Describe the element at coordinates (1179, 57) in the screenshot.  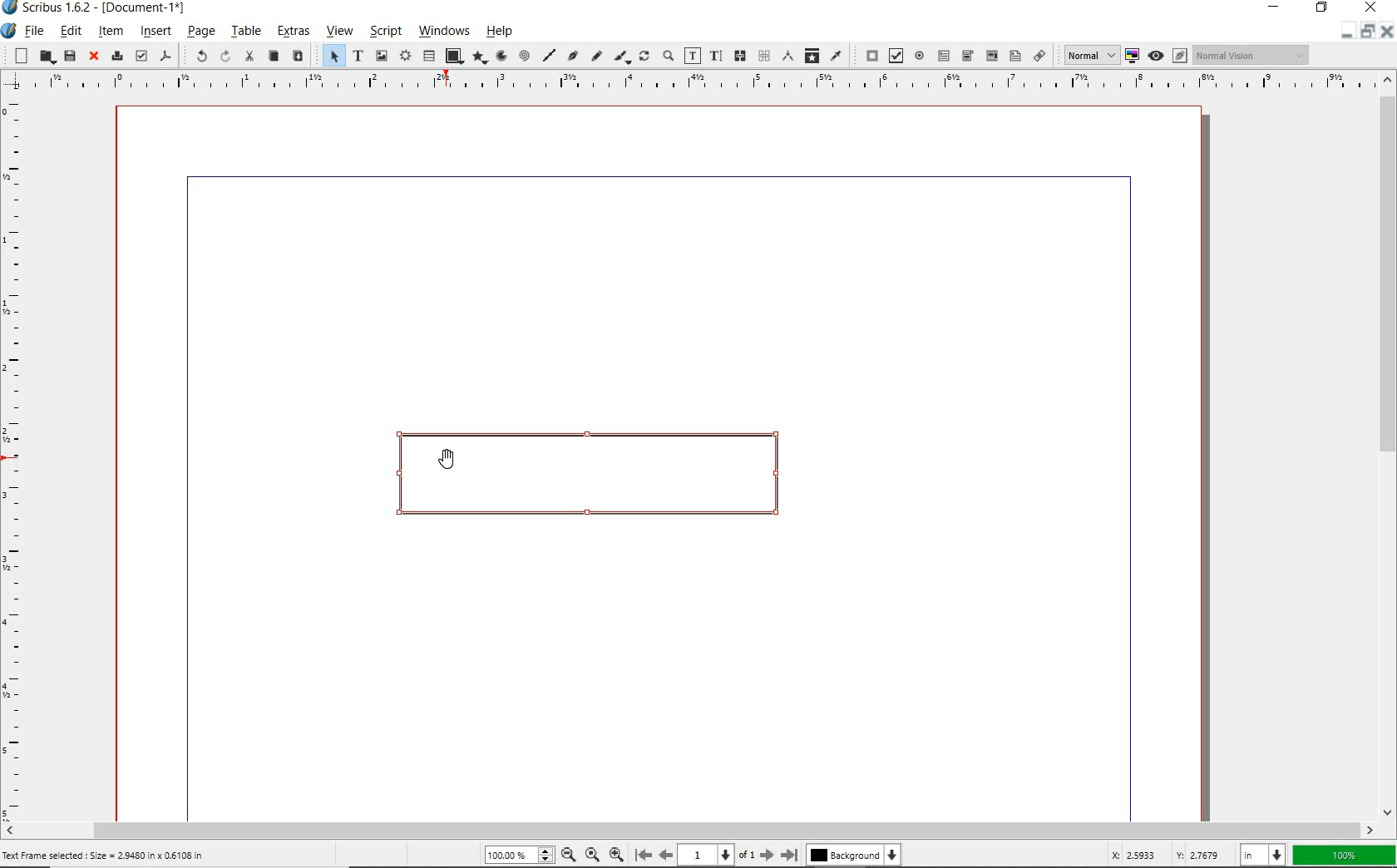
I see `Edit in preview mode` at that location.